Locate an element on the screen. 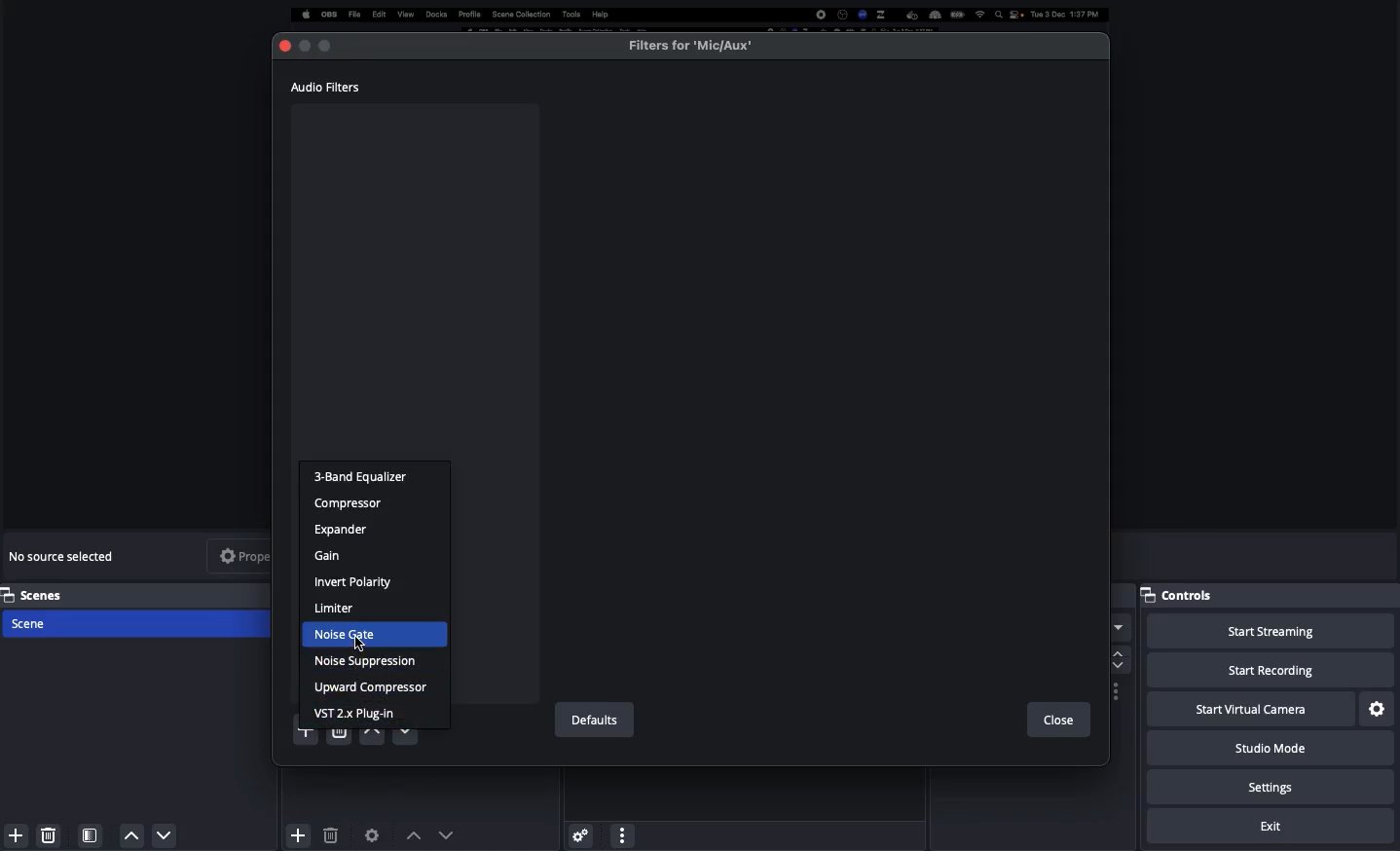 The image size is (1400, 851). Upward compressor is located at coordinates (371, 685).